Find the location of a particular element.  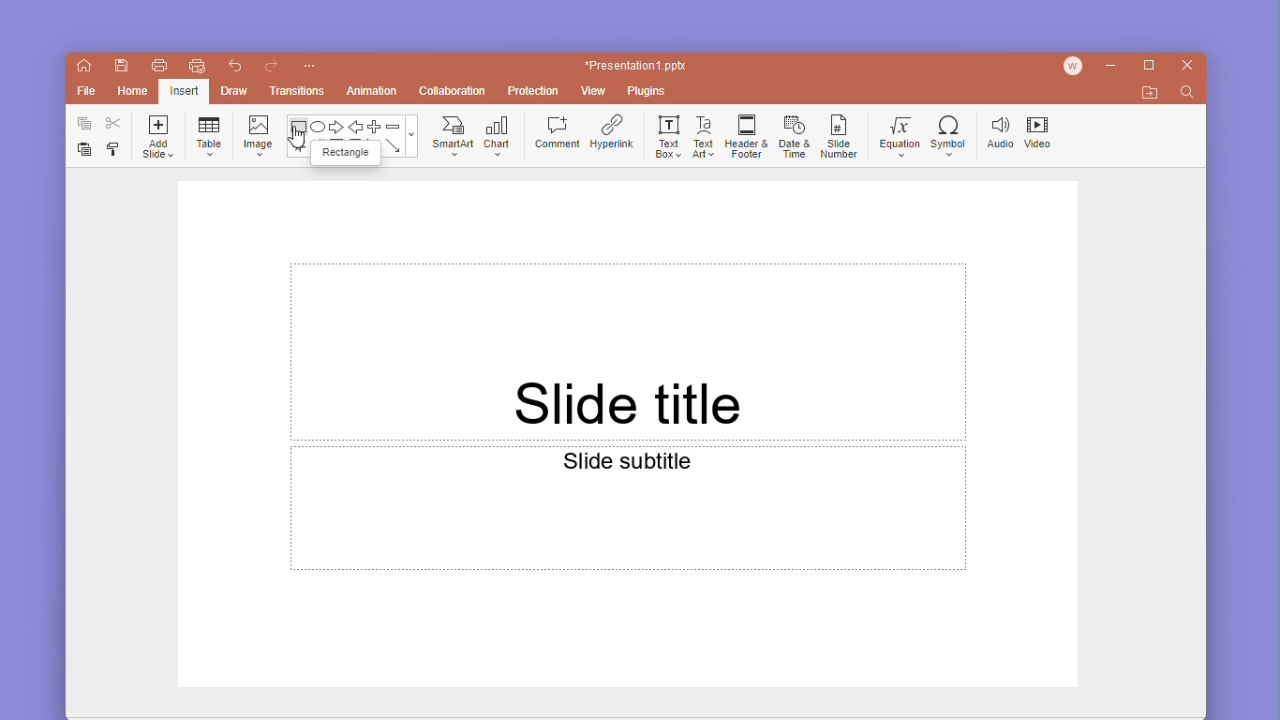

add slide is located at coordinates (157, 137).